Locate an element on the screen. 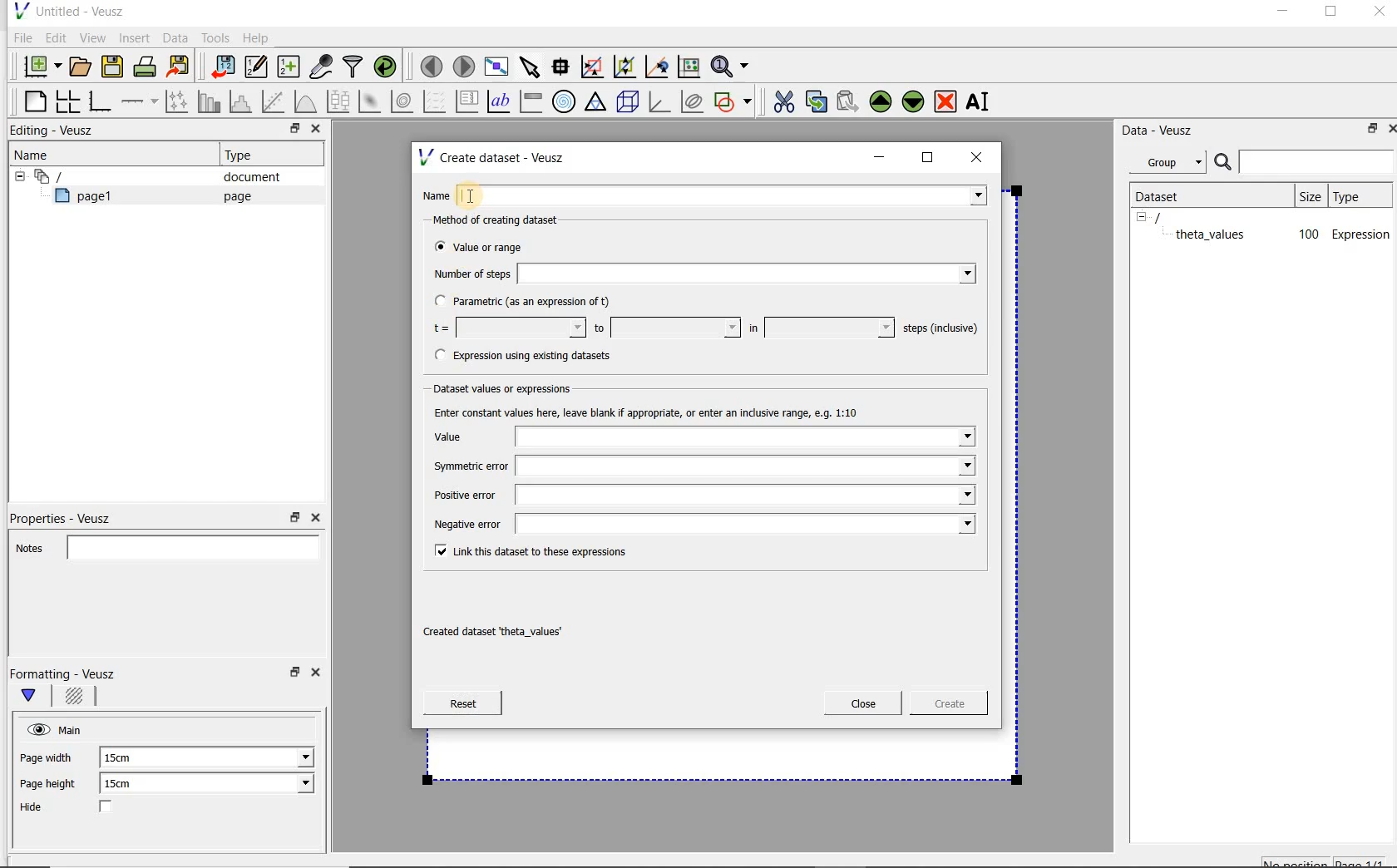 Image resolution: width=1397 pixels, height=868 pixels. to is located at coordinates (665, 328).